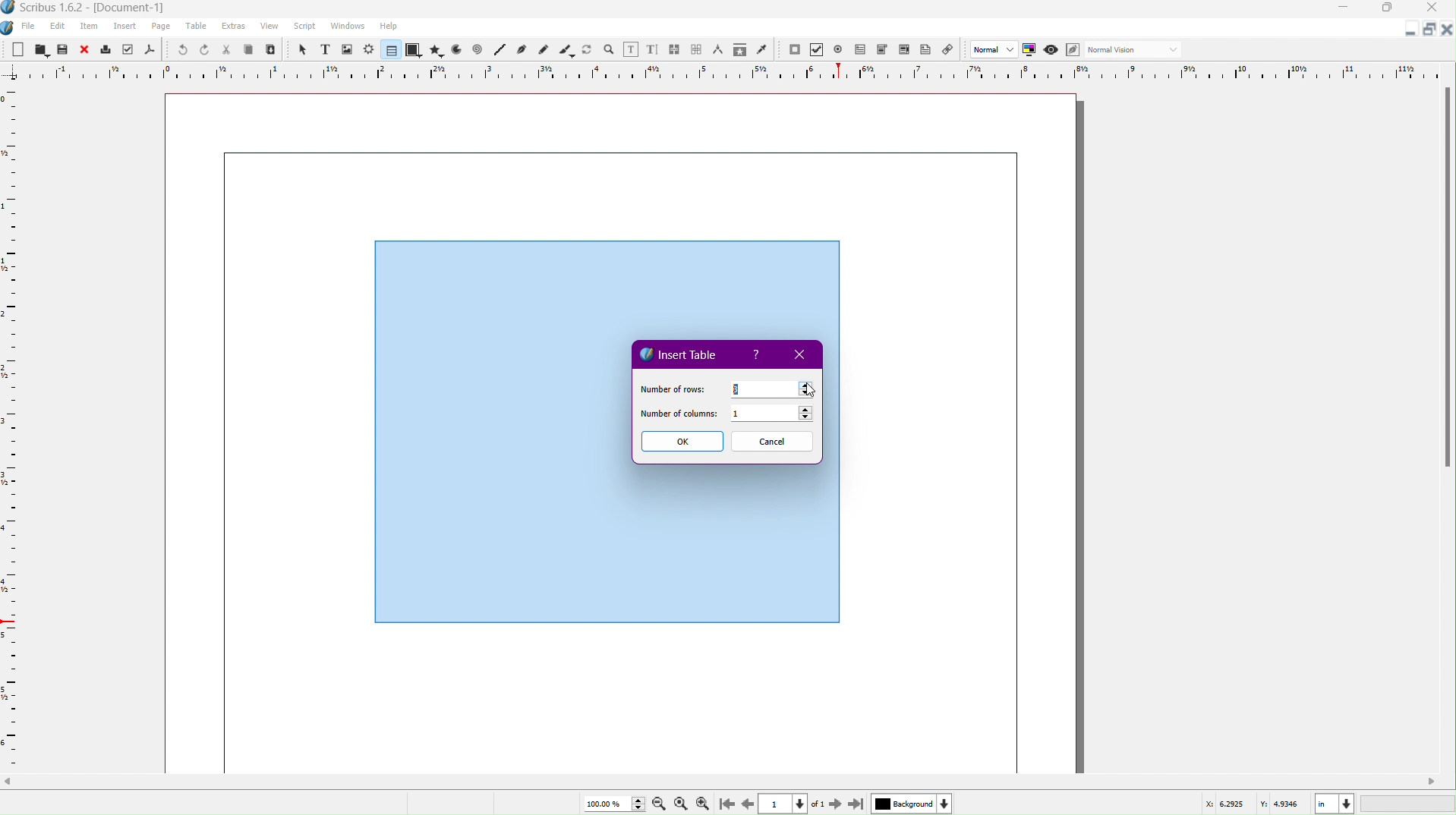 The image size is (1456, 815). I want to click on Minimize, so click(1344, 9).